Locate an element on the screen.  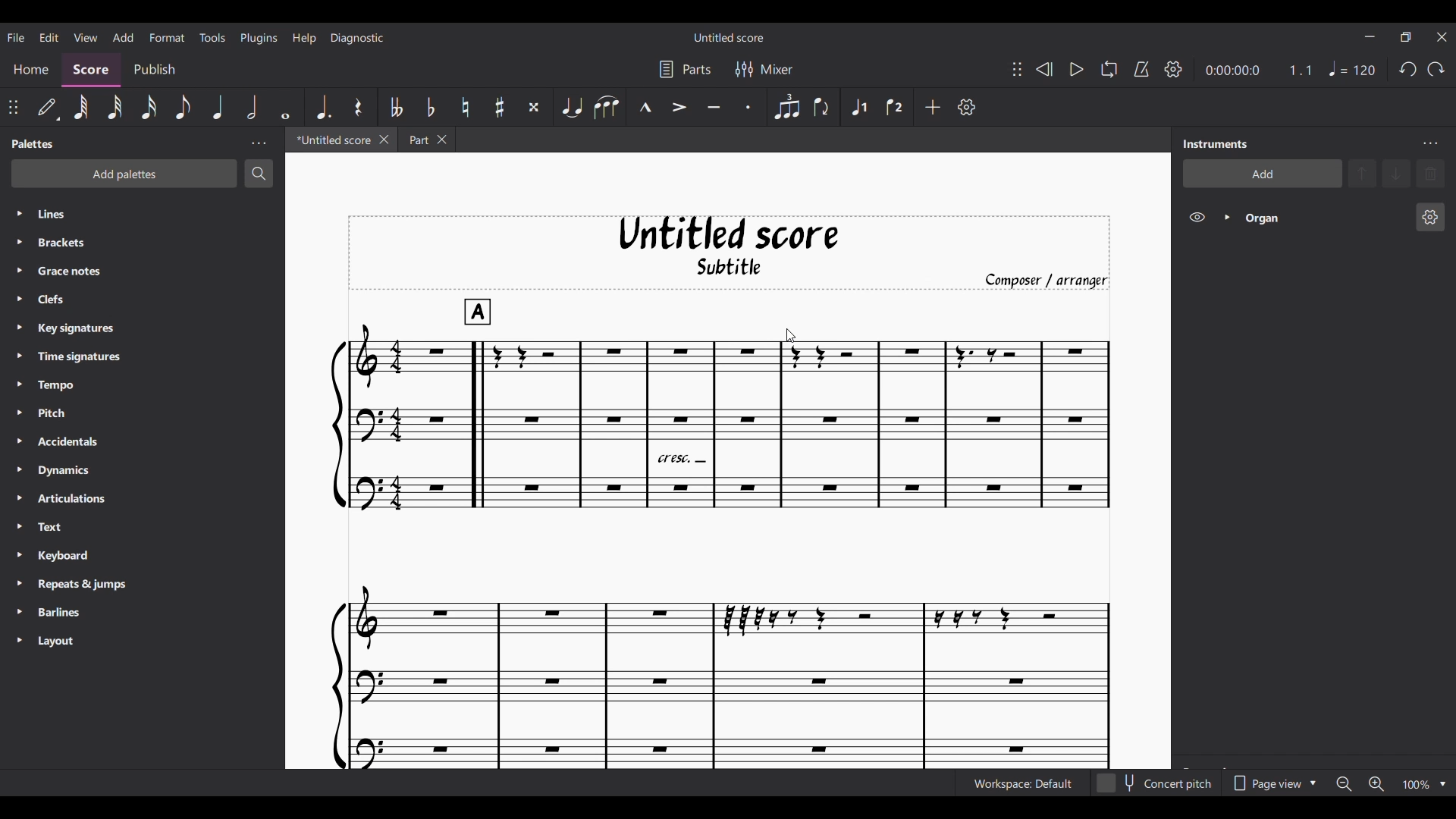
Zoom in is located at coordinates (1376, 783).